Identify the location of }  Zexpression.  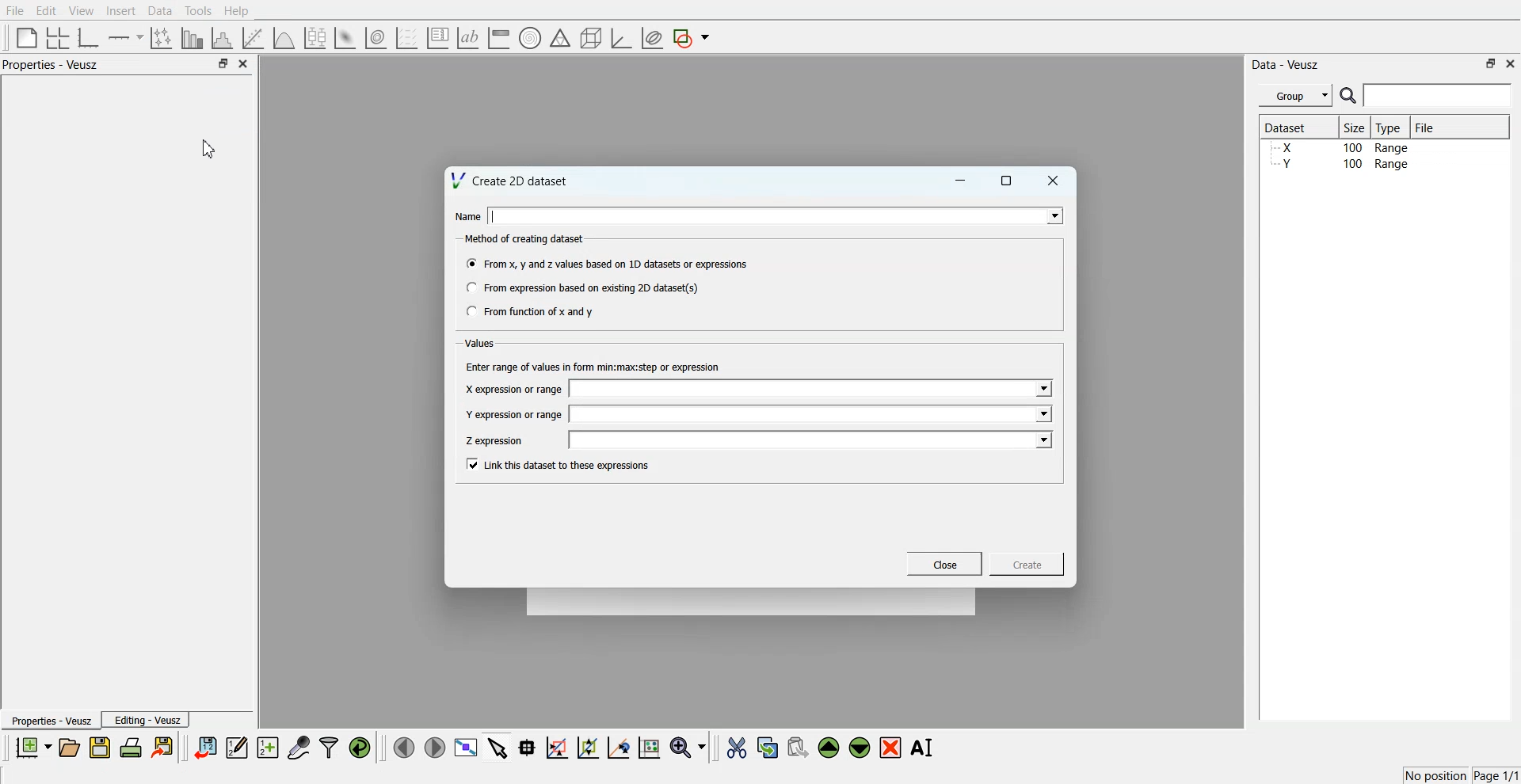
(496, 441).